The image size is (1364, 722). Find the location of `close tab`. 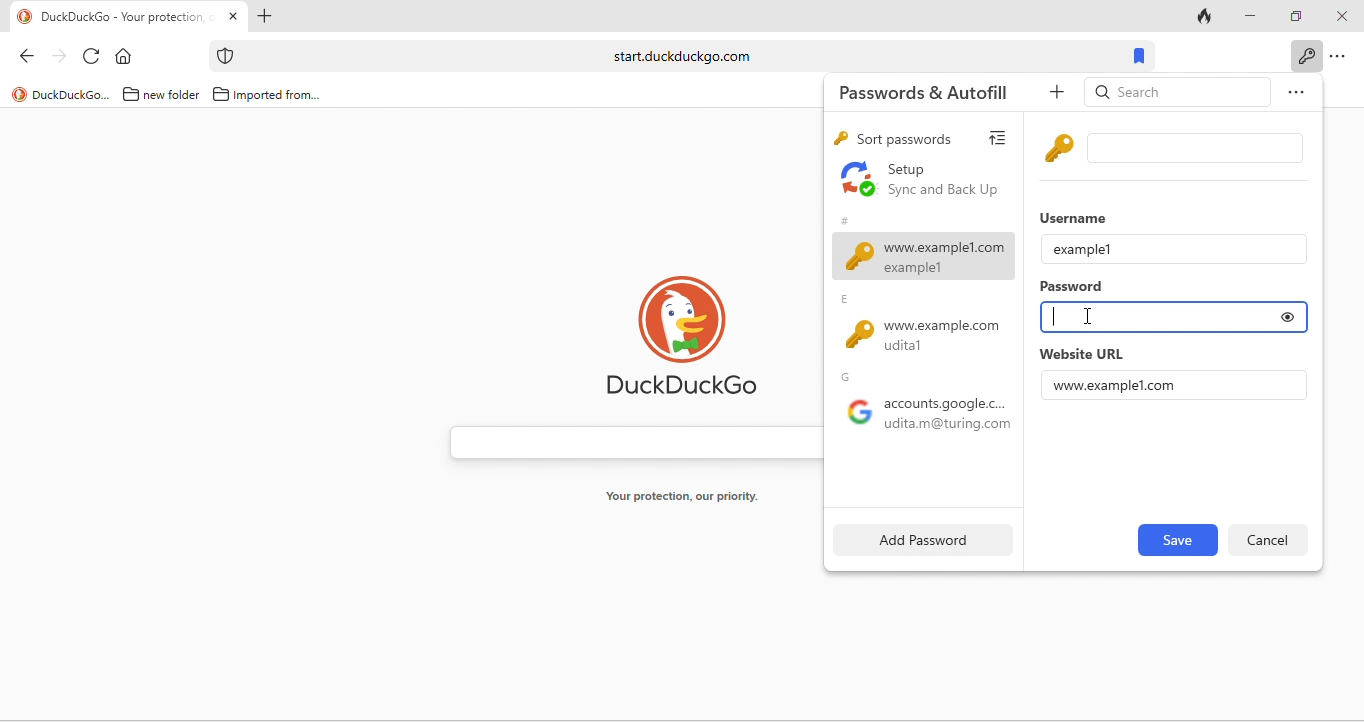

close tab is located at coordinates (233, 17).